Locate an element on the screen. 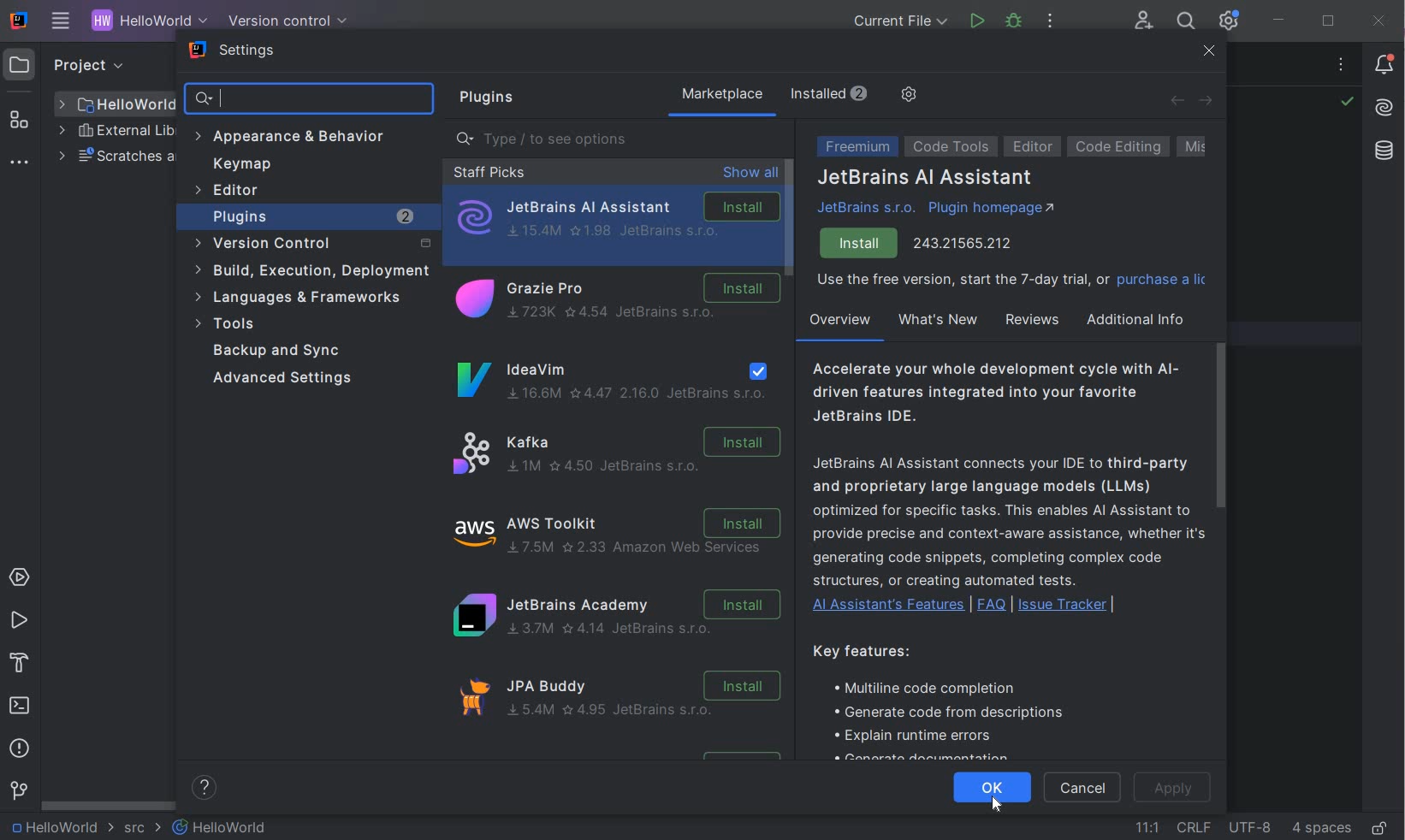  editor is located at coordinates (1034, 147).